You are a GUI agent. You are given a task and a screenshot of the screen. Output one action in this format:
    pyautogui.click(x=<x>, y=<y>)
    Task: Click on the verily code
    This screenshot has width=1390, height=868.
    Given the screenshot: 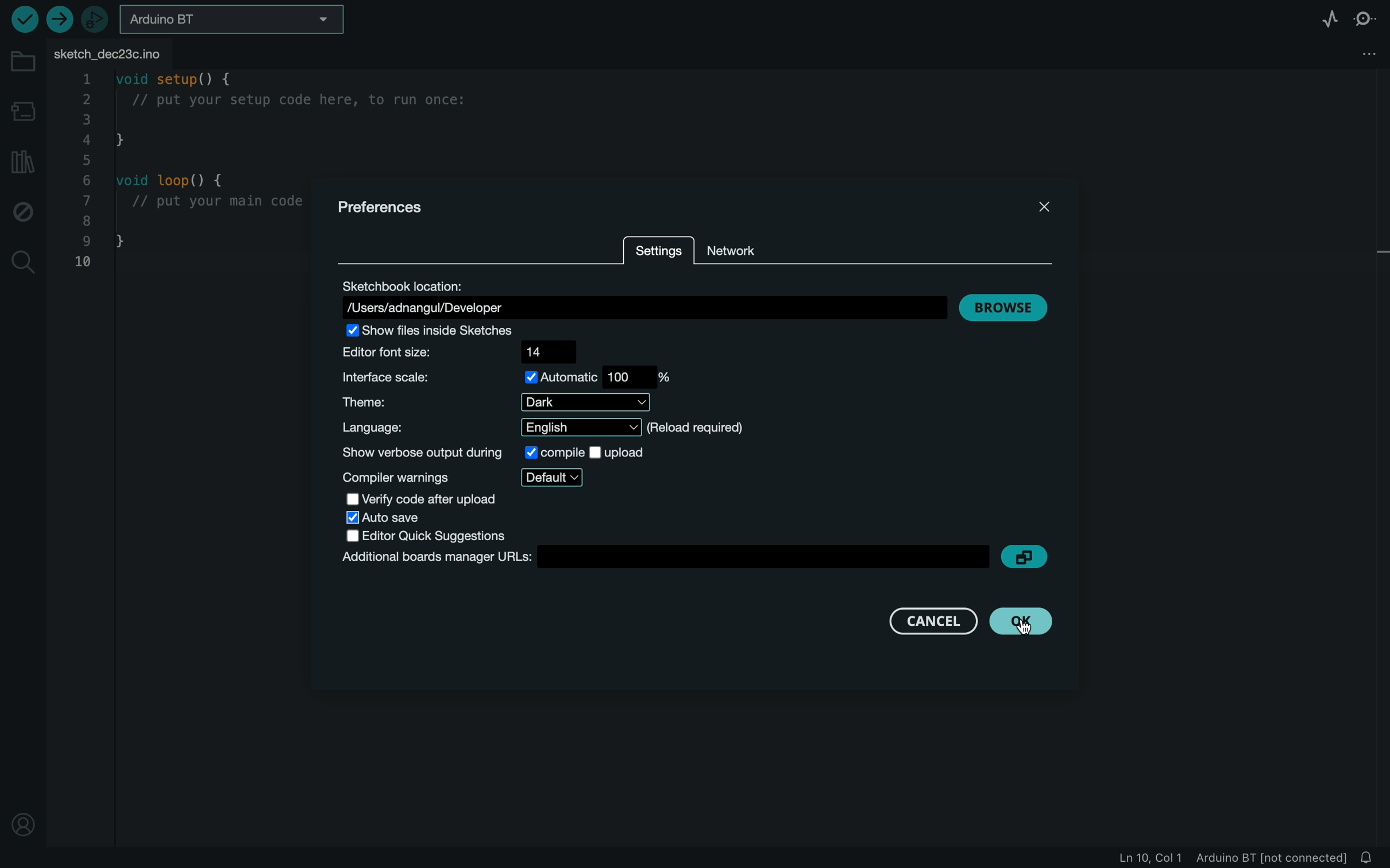 What is the action you would take?
    pyautogui.click(x=445, y=498)
    